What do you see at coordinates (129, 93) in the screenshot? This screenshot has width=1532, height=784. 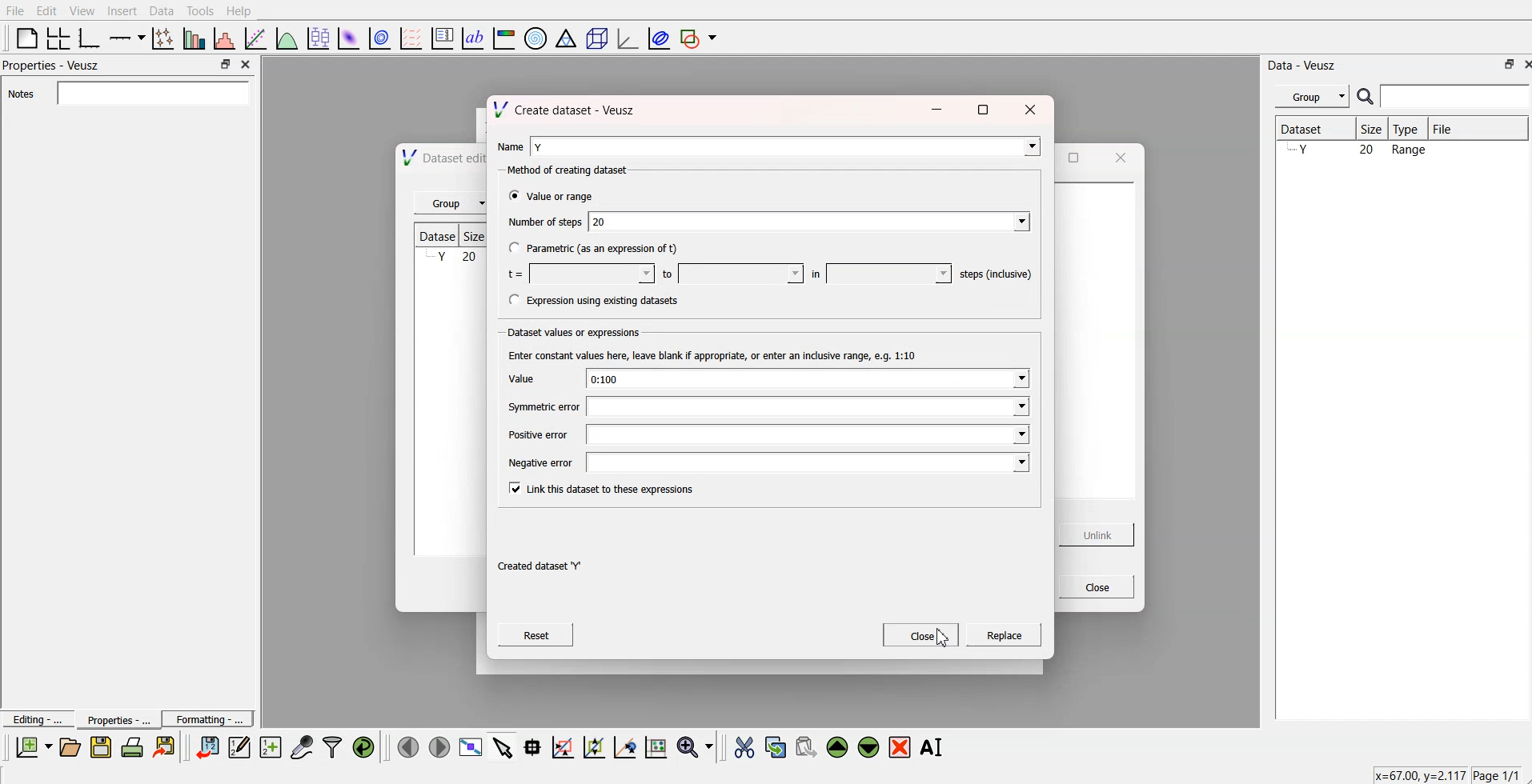 I see `Notes` at bounding box center [129, 93].